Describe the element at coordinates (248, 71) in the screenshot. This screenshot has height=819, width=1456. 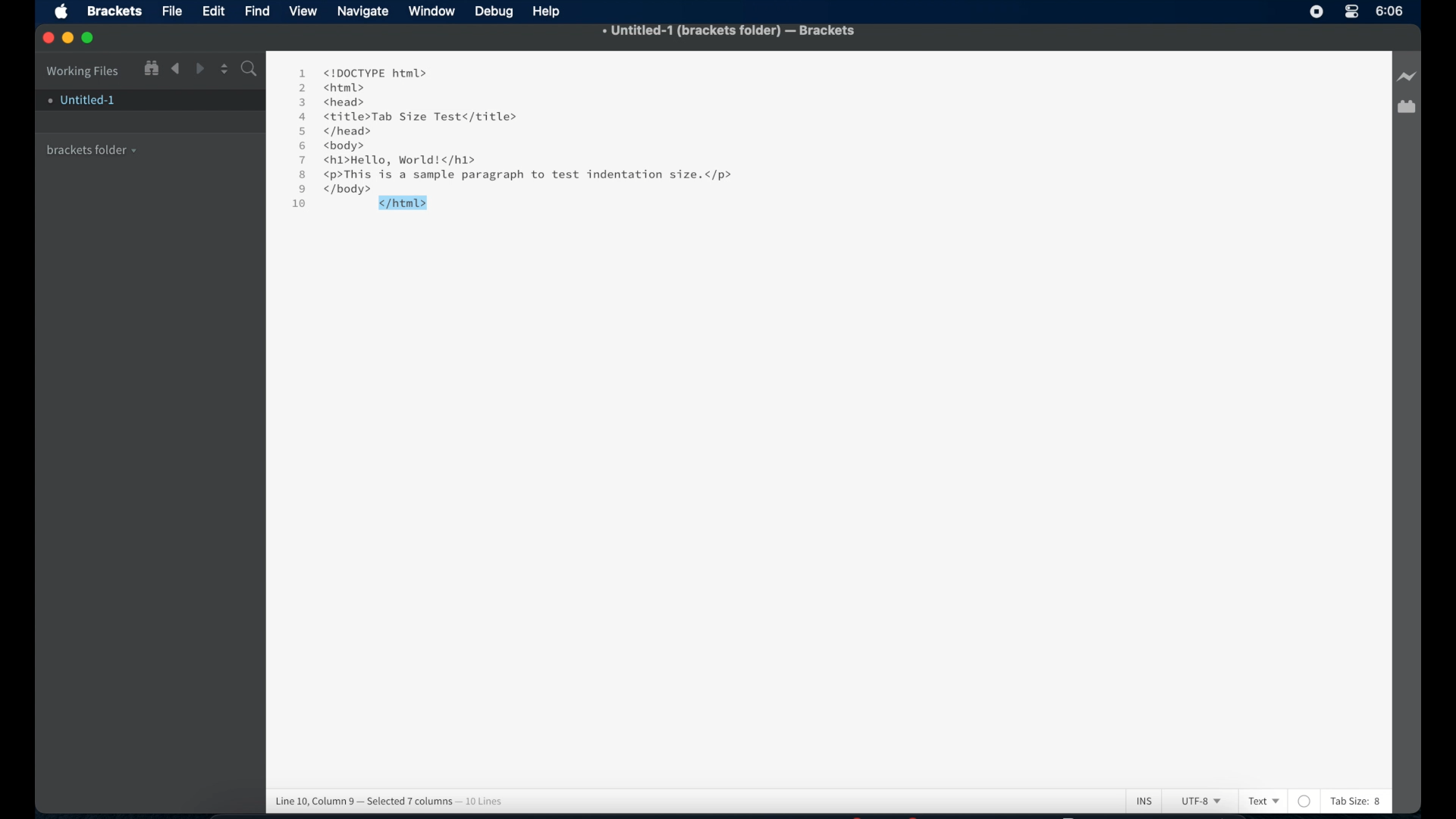
I see `Find` at that location.